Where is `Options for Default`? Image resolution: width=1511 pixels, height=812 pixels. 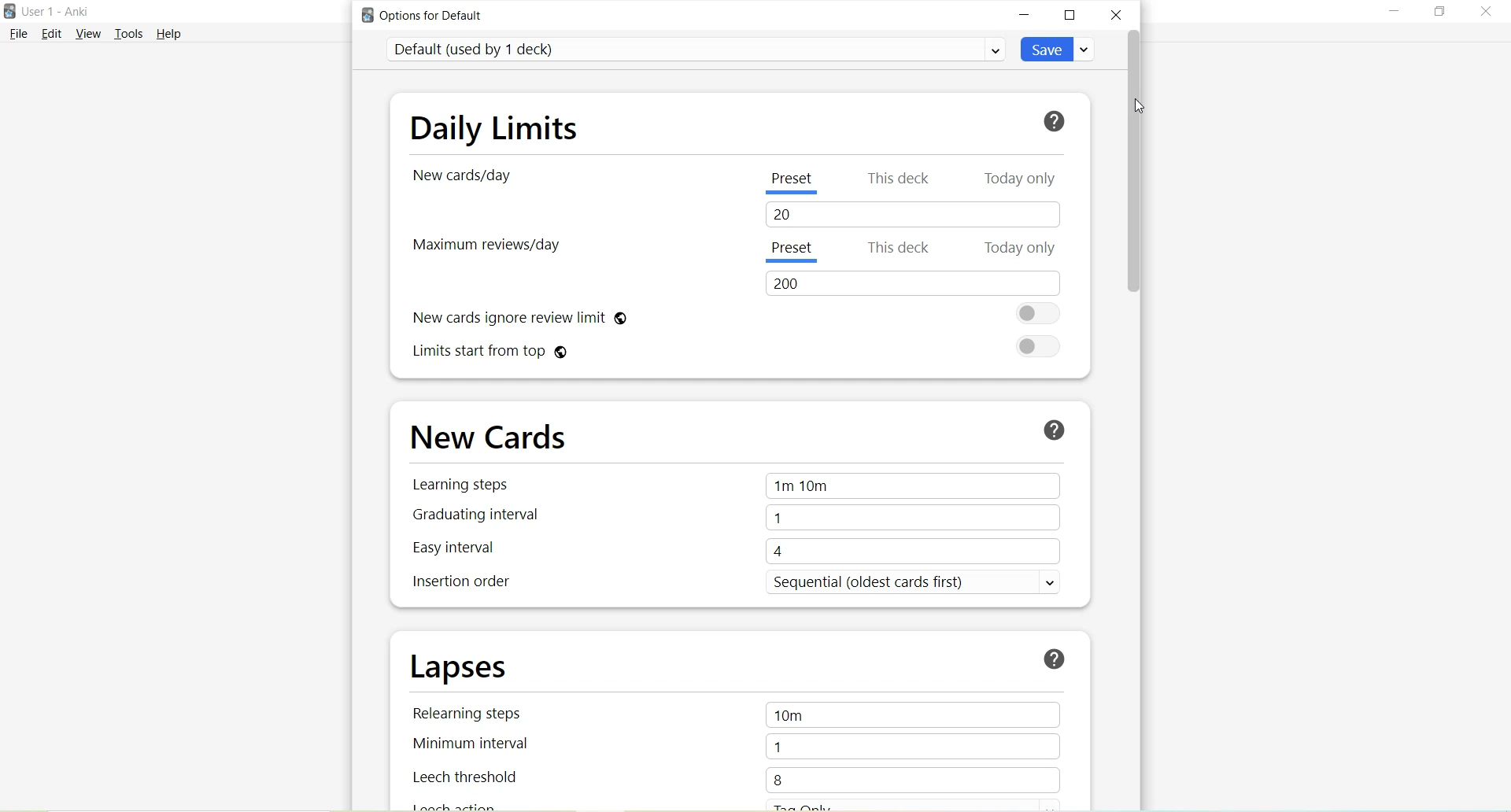 Options for Default is located at coordinates (428, 15).